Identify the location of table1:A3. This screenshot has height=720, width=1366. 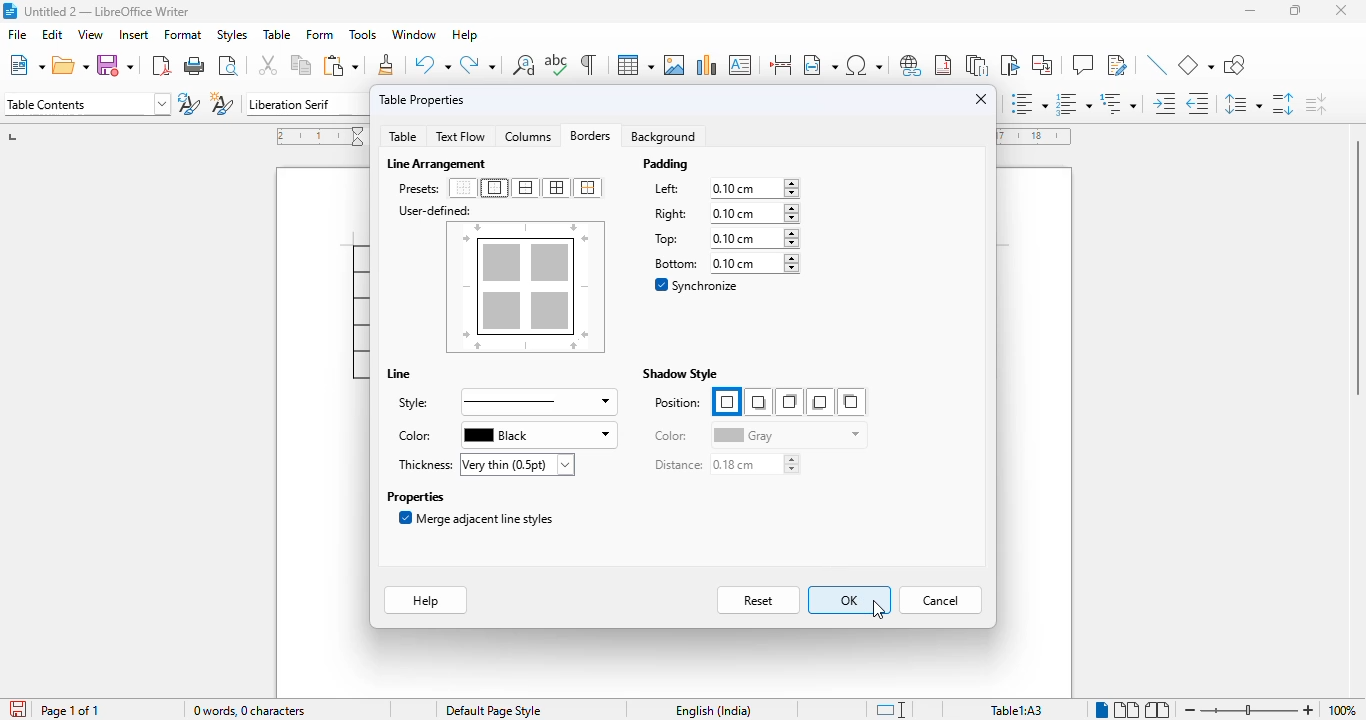
(1017, 710).